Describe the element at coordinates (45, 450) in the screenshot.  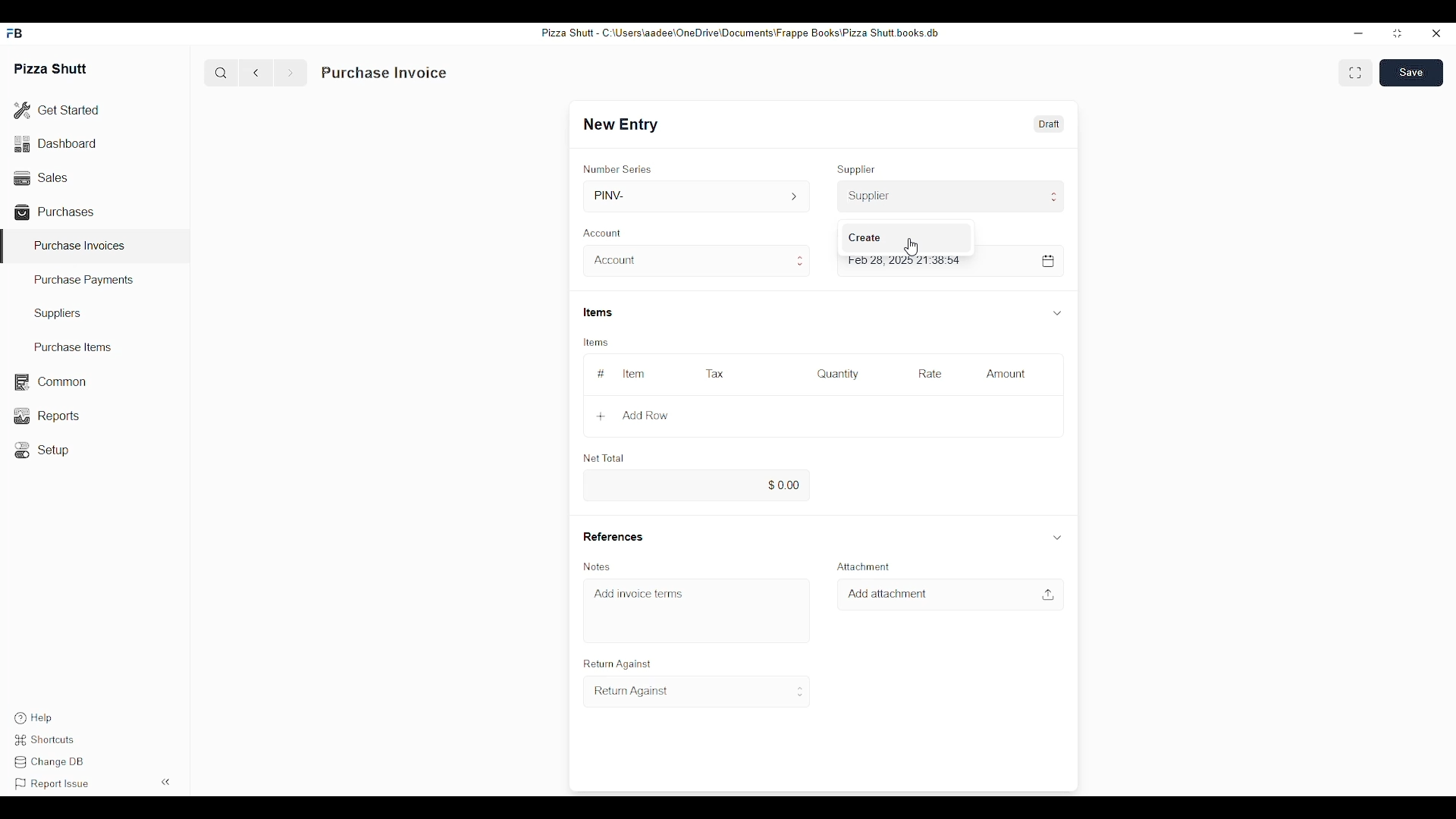
I see `Setup` at that location.